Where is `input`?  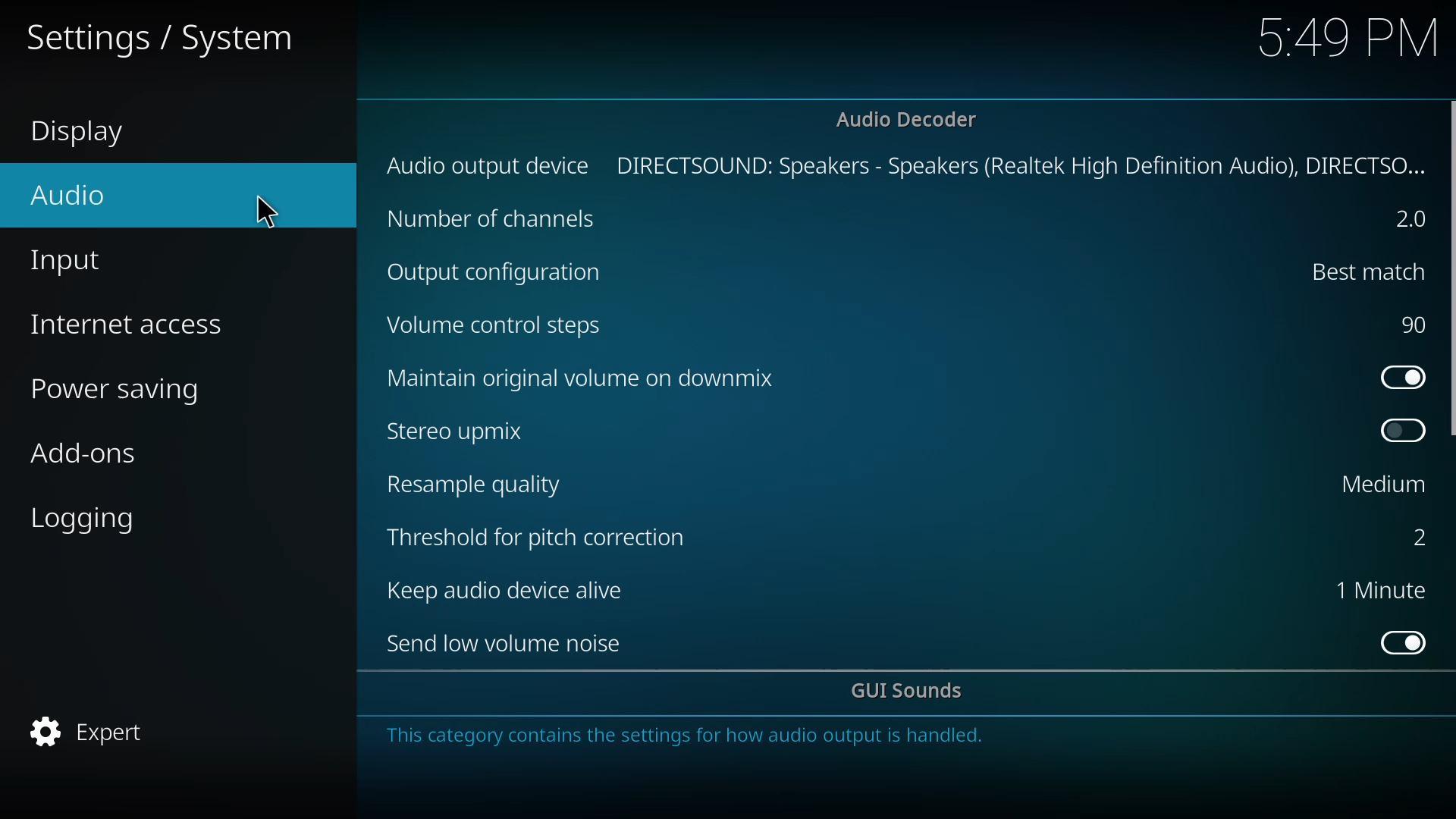
input is located at coordinates (79, 261).